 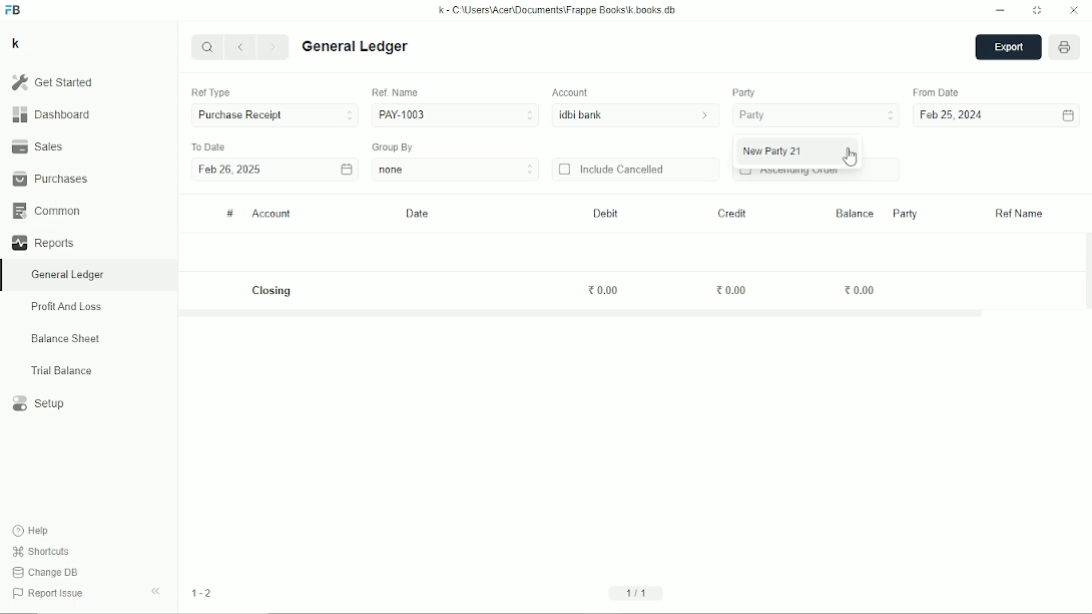 I want to click on Search, so click(x=207, y=46).